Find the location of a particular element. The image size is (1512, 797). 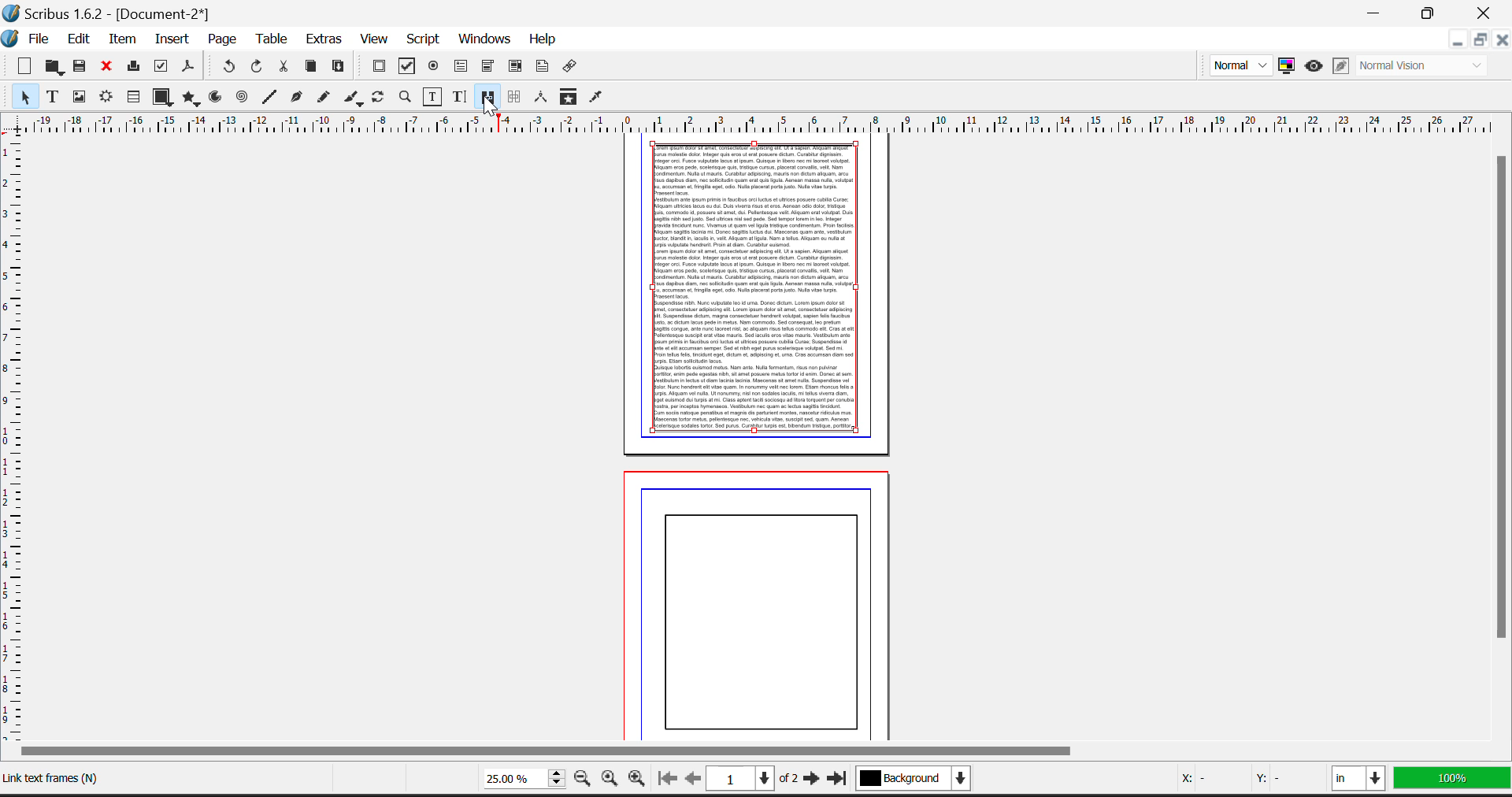

Restore Down is located at coordinates (1376, 11).